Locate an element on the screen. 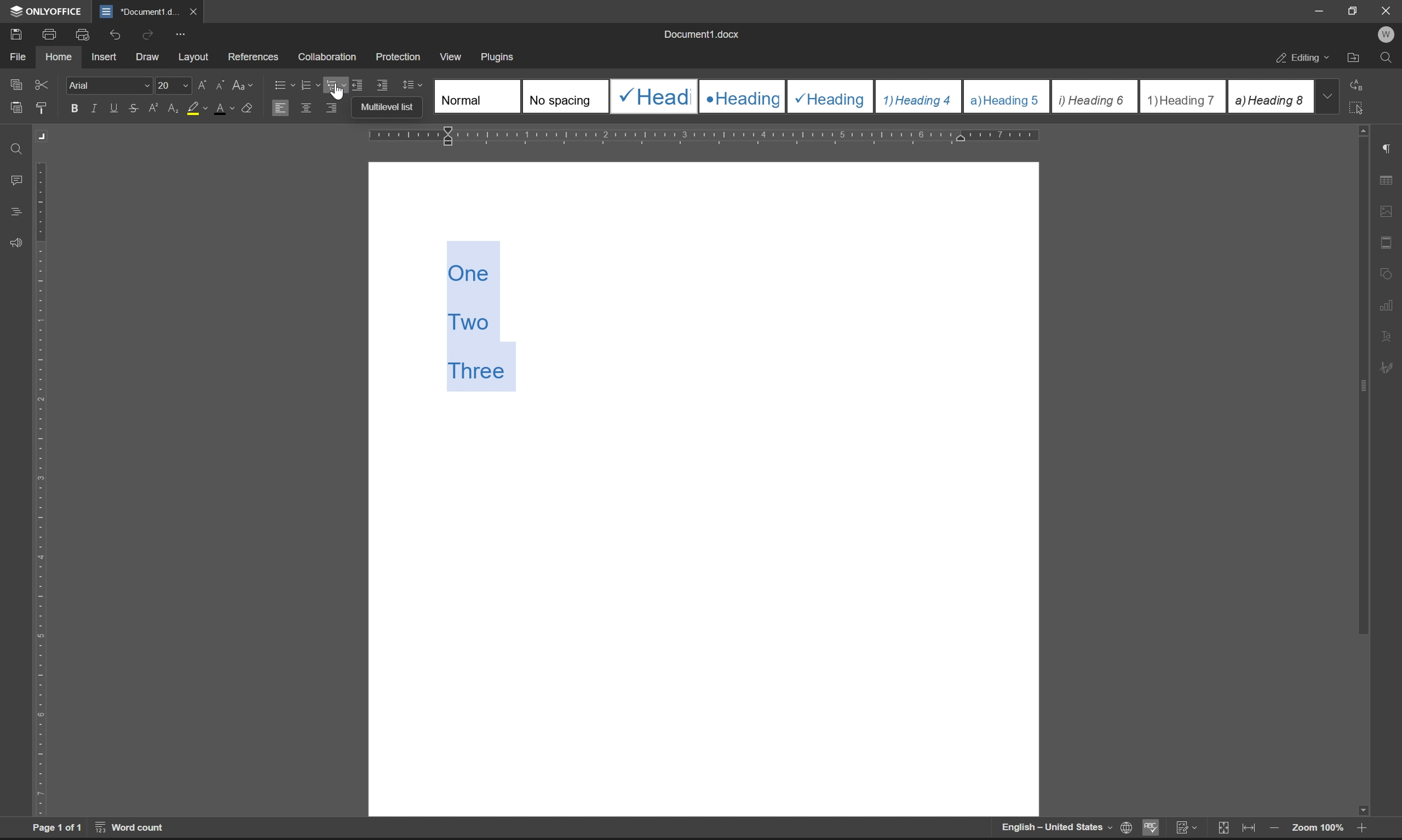 The image size is (1402, 840). bold is located at coordinates (75, 109).